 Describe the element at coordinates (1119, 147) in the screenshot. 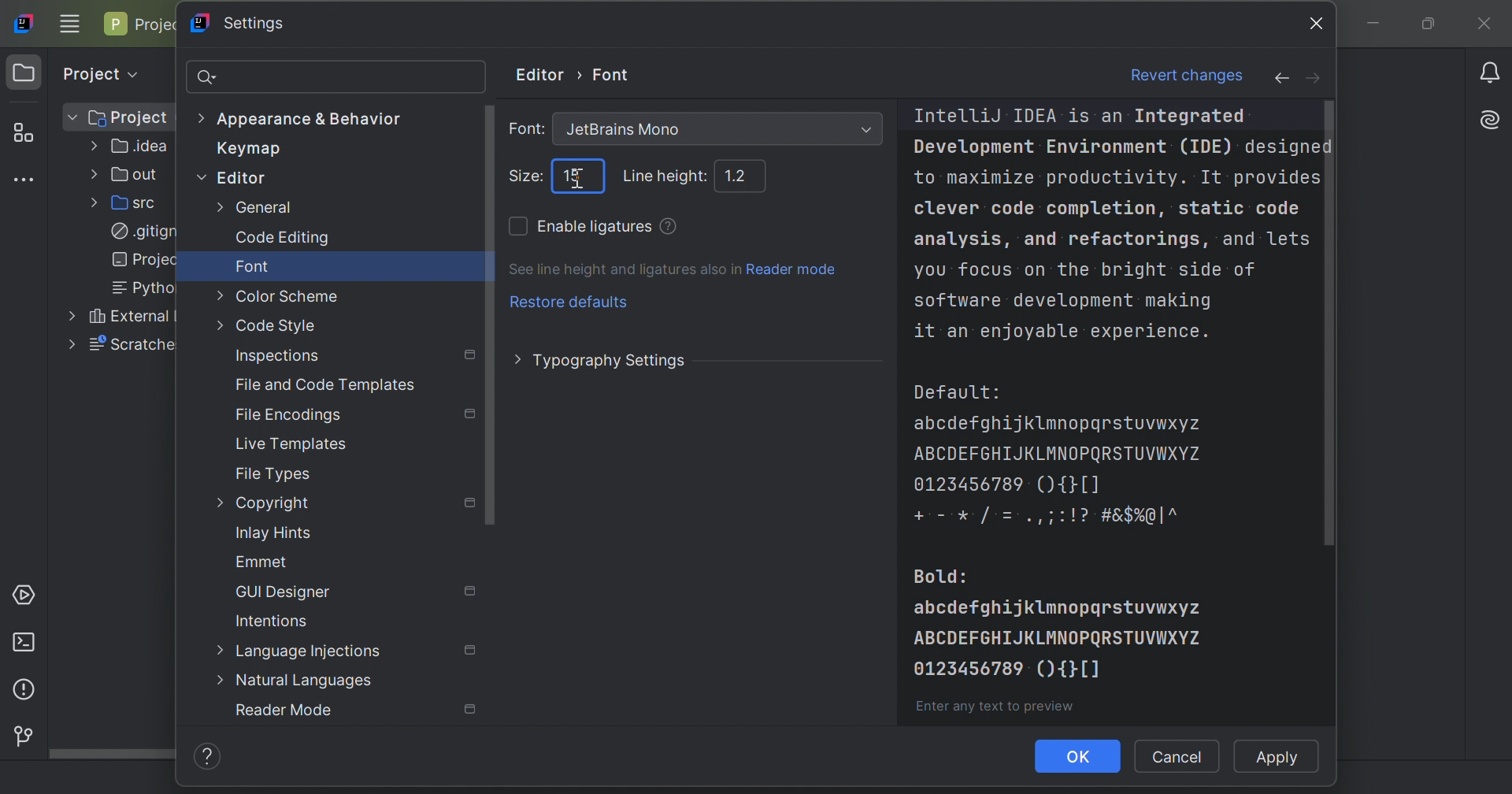

I see `Development Environment (IDE) designed` at that location.